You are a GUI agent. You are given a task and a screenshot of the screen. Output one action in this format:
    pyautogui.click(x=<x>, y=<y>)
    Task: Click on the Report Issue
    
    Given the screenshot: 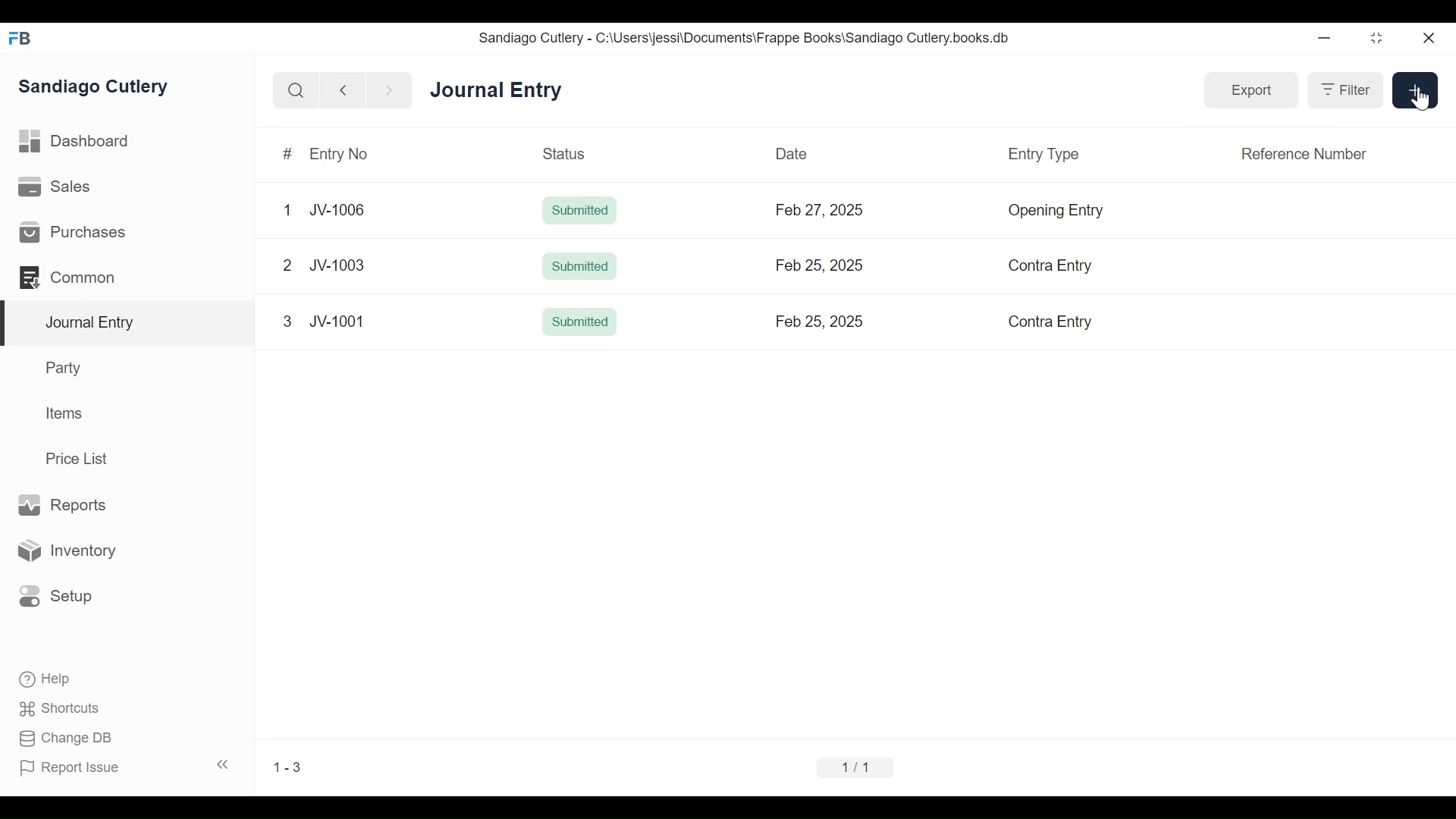 What is the action you would take?
    pyautogui.click(x=76, y=769)
    